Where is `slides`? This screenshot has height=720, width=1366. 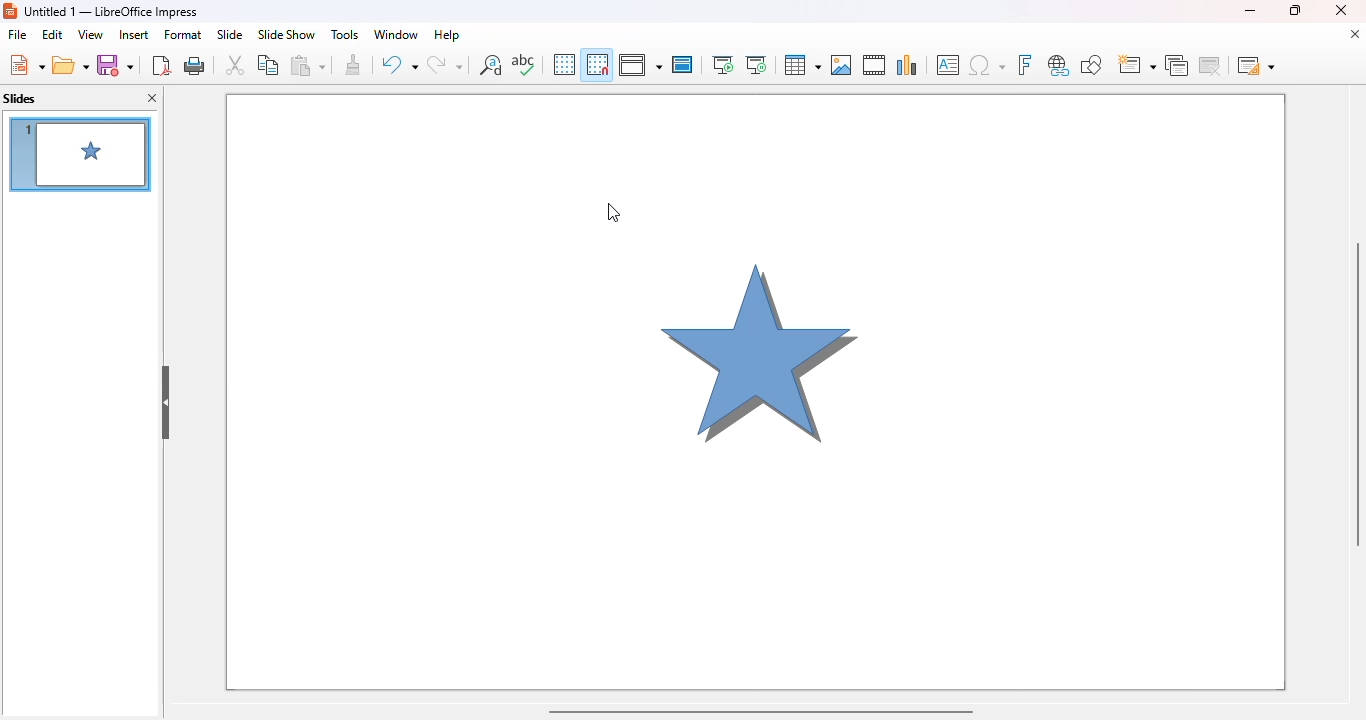 slides is located at coordinates (20, 99).